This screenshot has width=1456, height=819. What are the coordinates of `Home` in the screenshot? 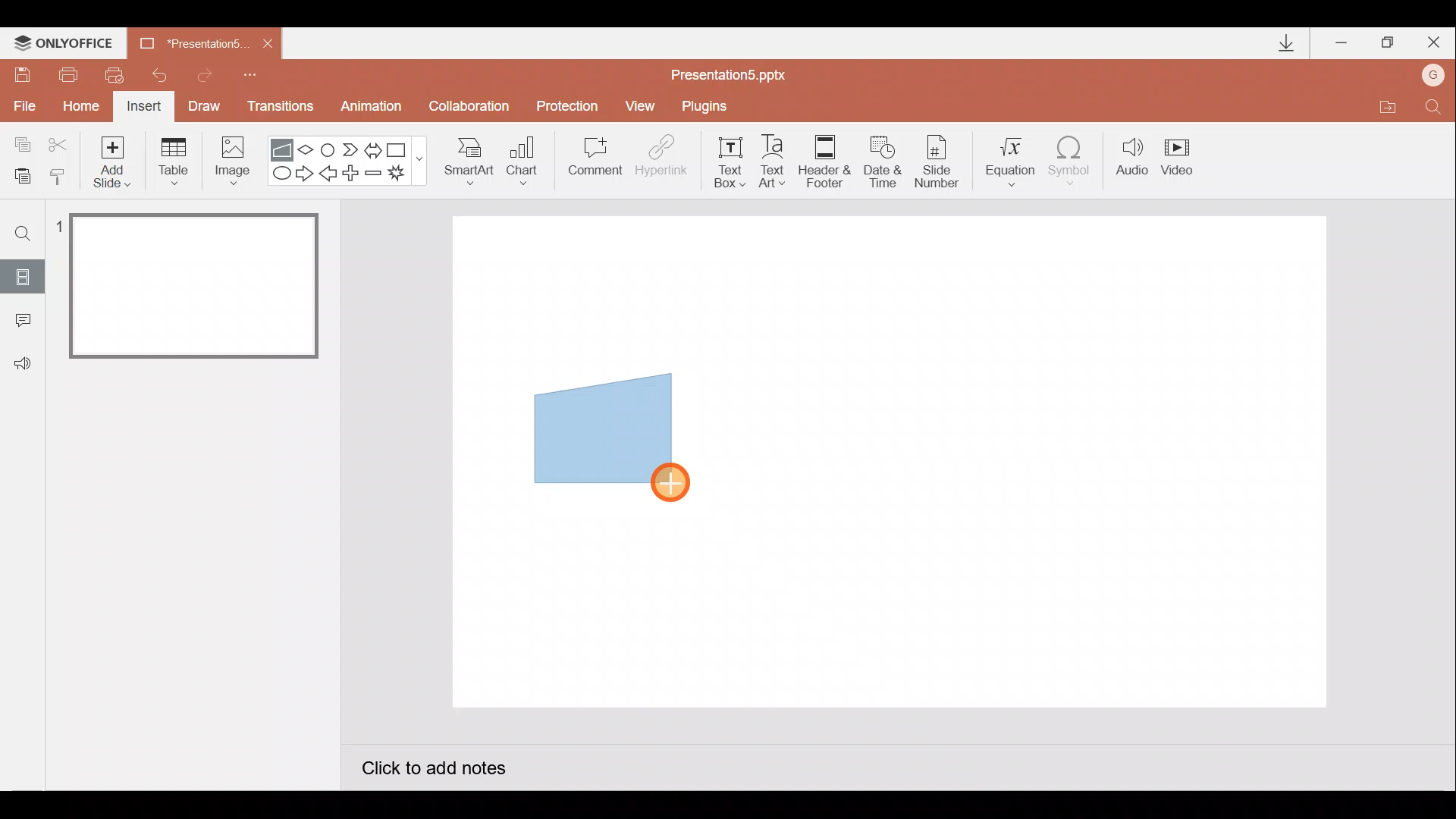 It's located at (77, 102).